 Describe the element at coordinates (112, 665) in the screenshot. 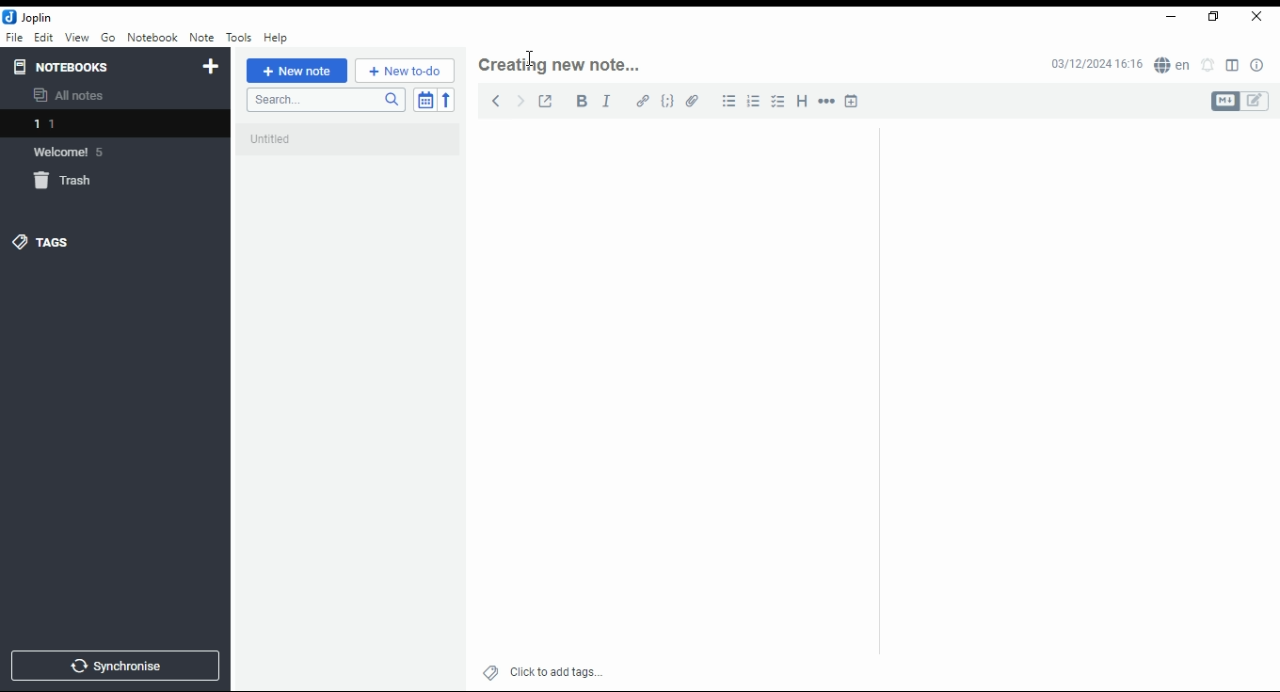

I see `synchronise` at that location.